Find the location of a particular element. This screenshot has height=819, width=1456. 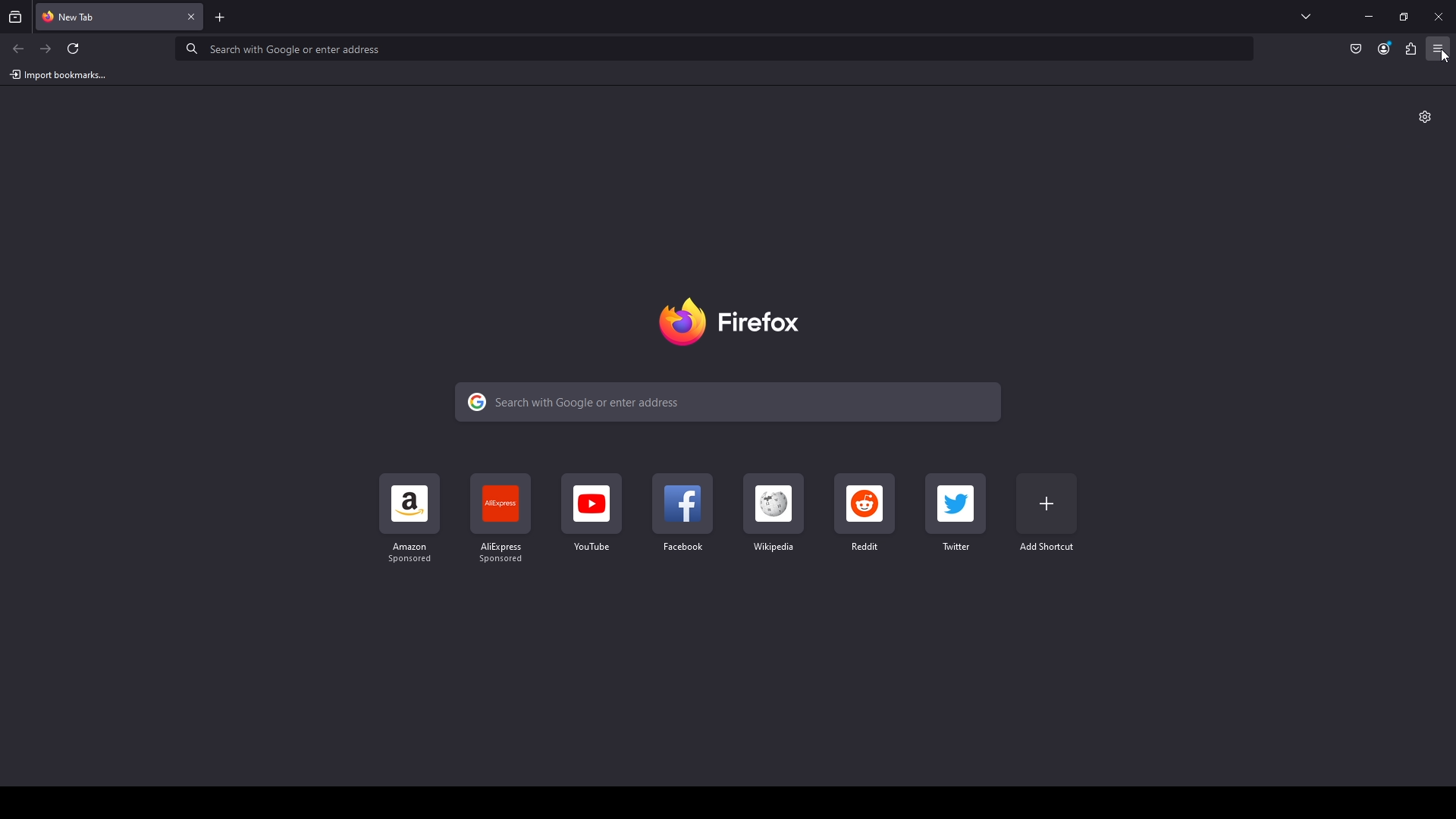

Reddit is located at coordinates (865, 513).